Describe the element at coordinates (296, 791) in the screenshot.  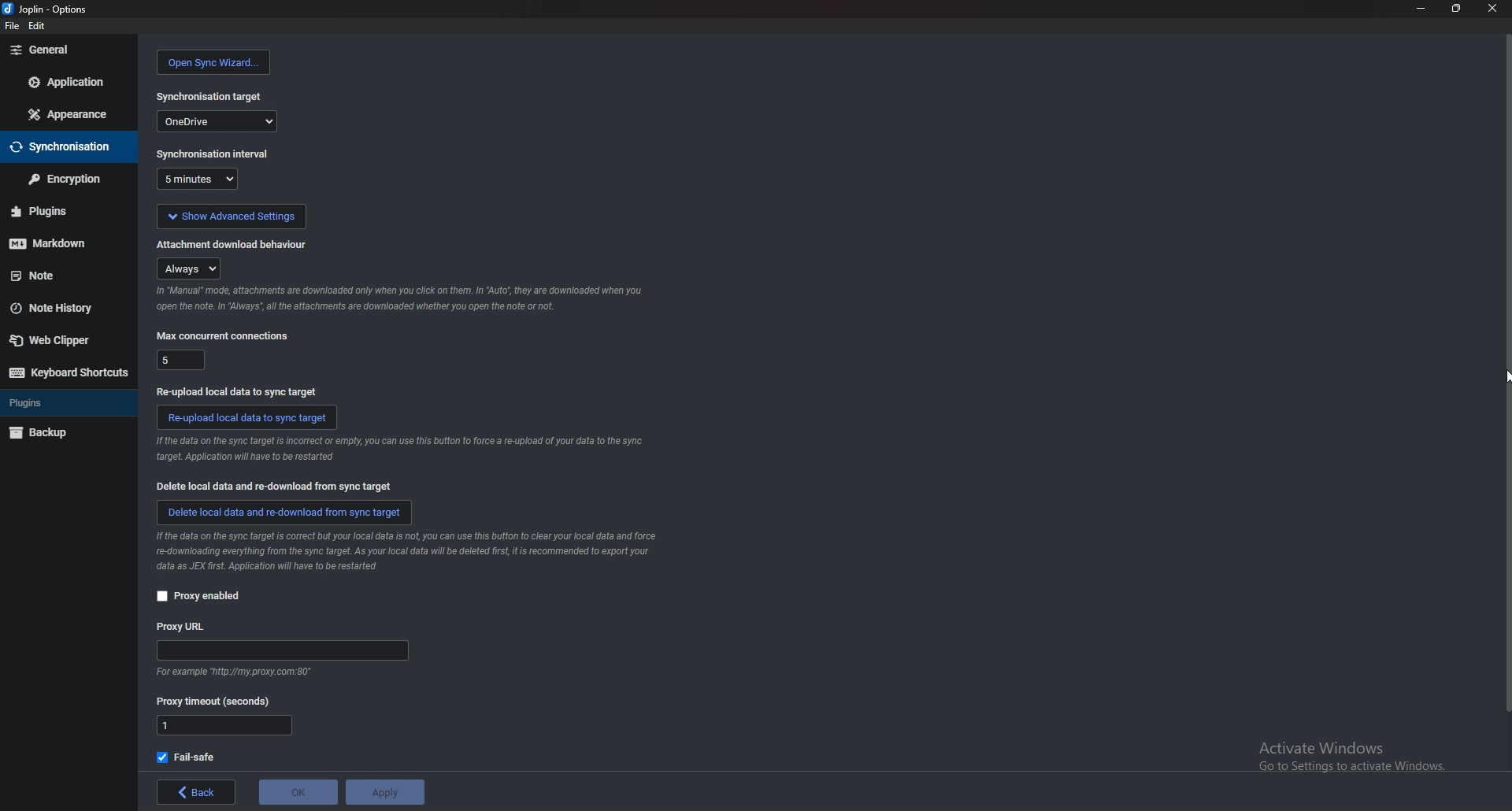
I see `ok` at that location.